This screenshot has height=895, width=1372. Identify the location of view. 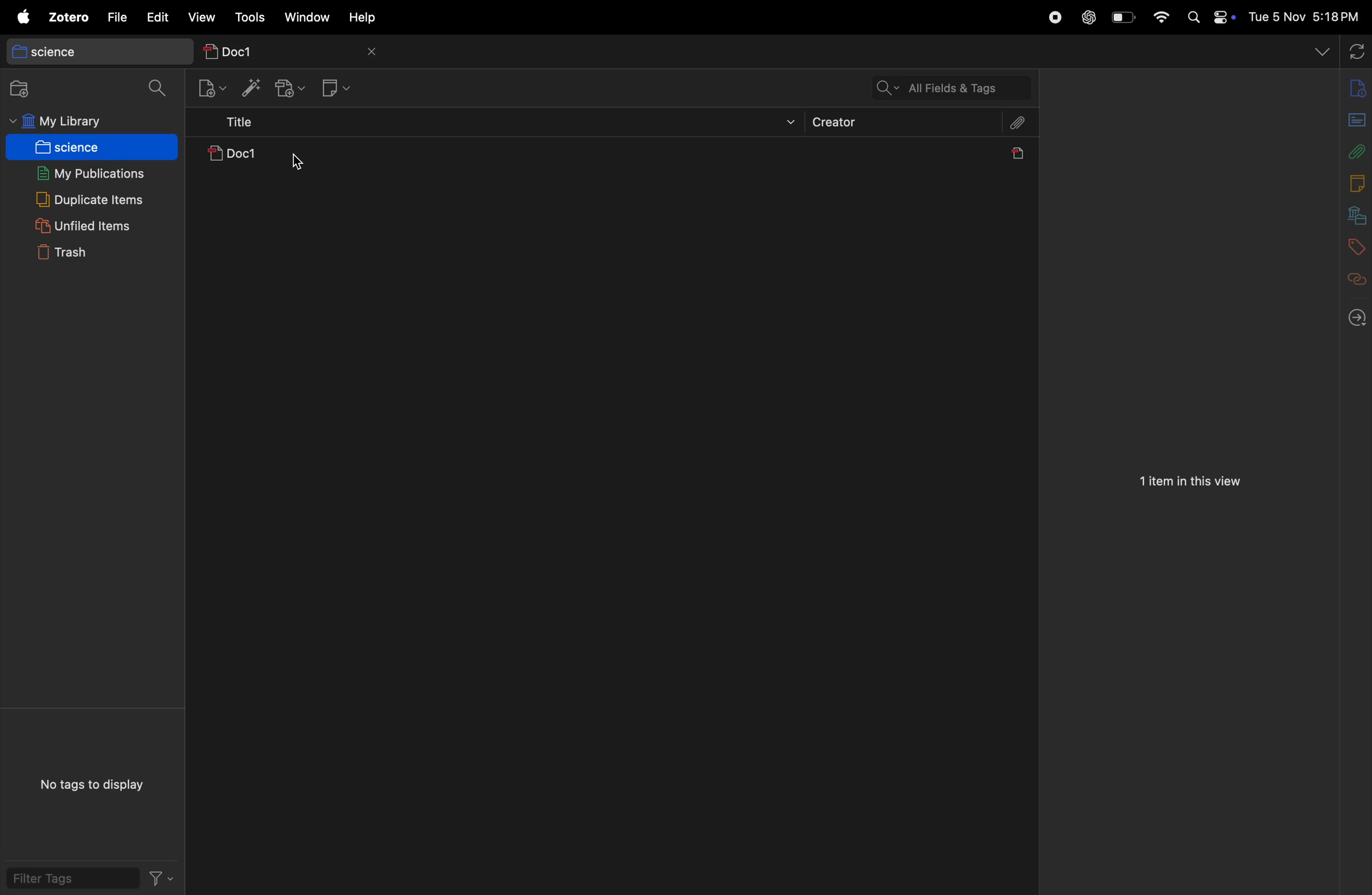
(202, 17).